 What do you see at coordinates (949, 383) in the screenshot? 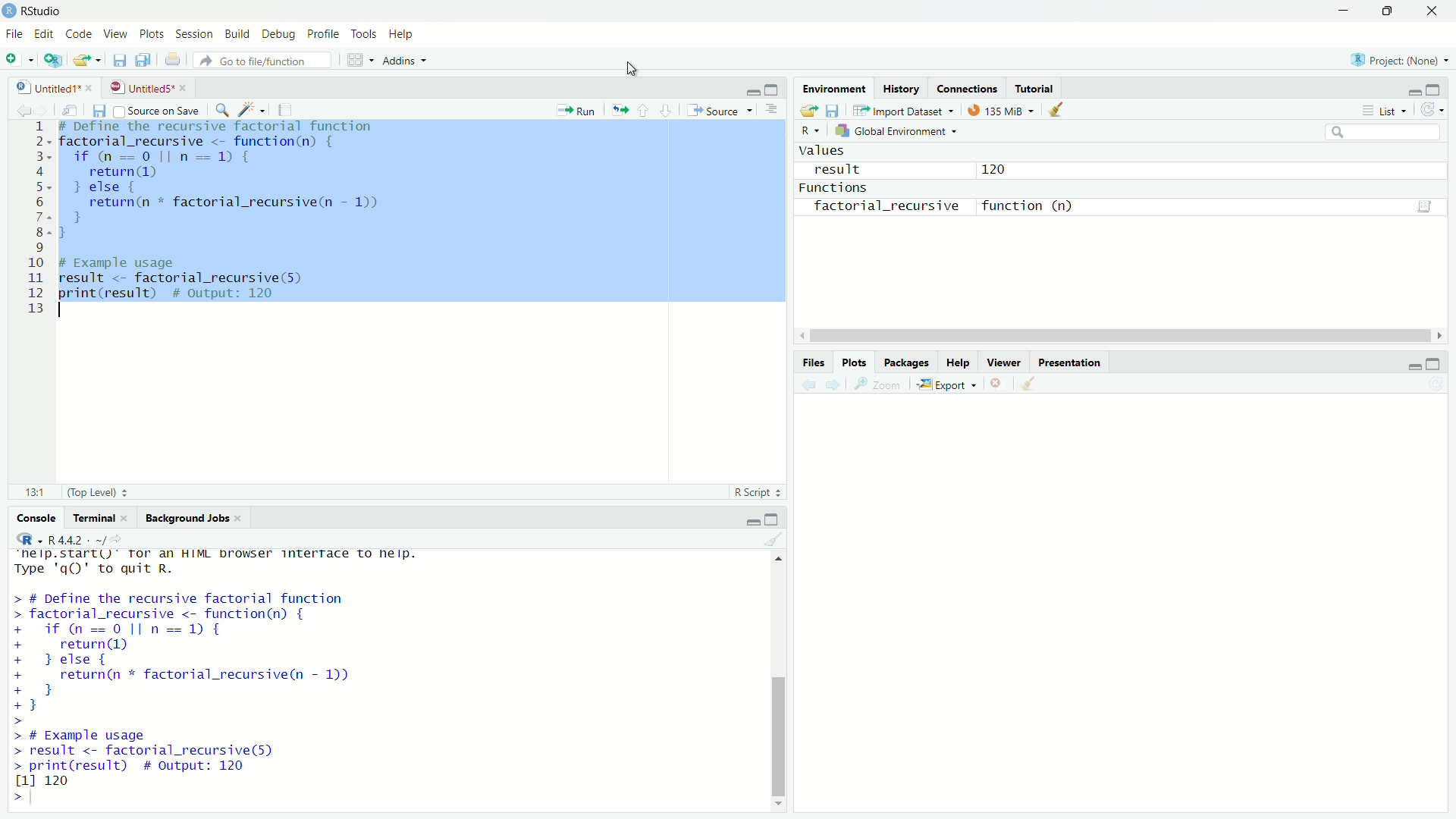
I see `Export` at bounding box center [949, 383].